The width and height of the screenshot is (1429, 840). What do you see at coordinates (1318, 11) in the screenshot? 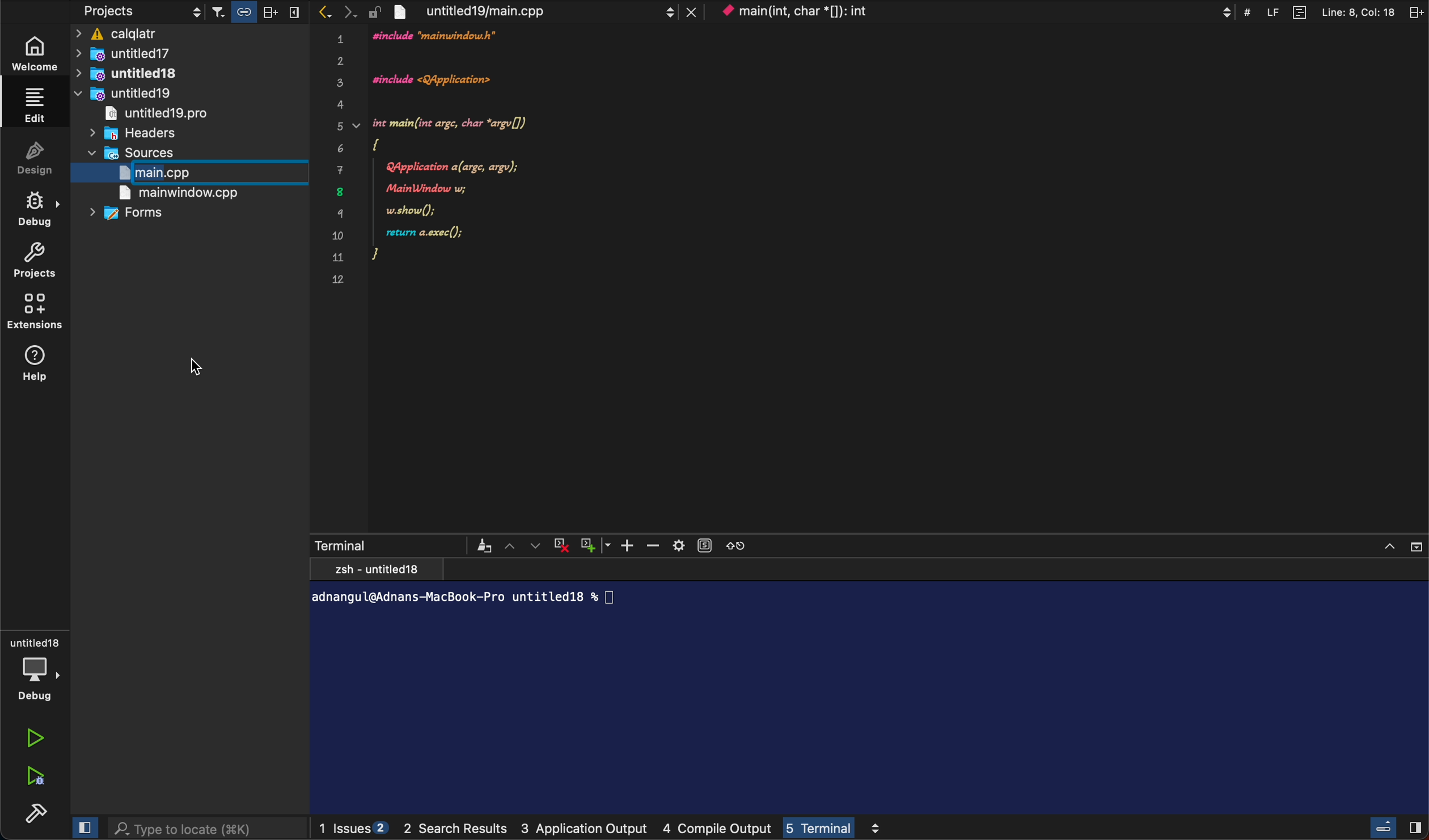
I see `file information` at bounding box center [1318, 11].